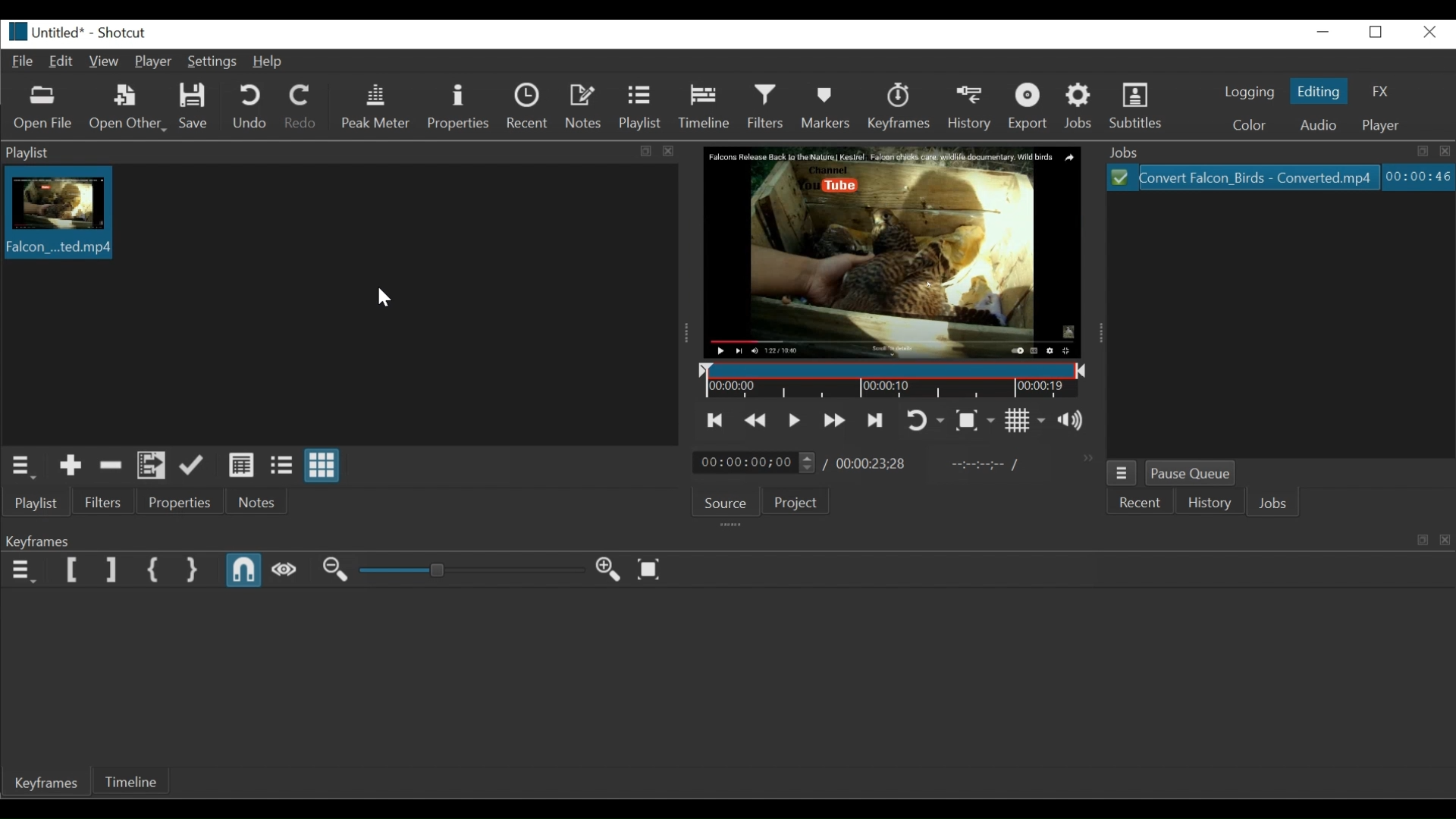 This screenshot has width=1456, height=819. I want to click on Add source to the playlist, so click(71, 465).